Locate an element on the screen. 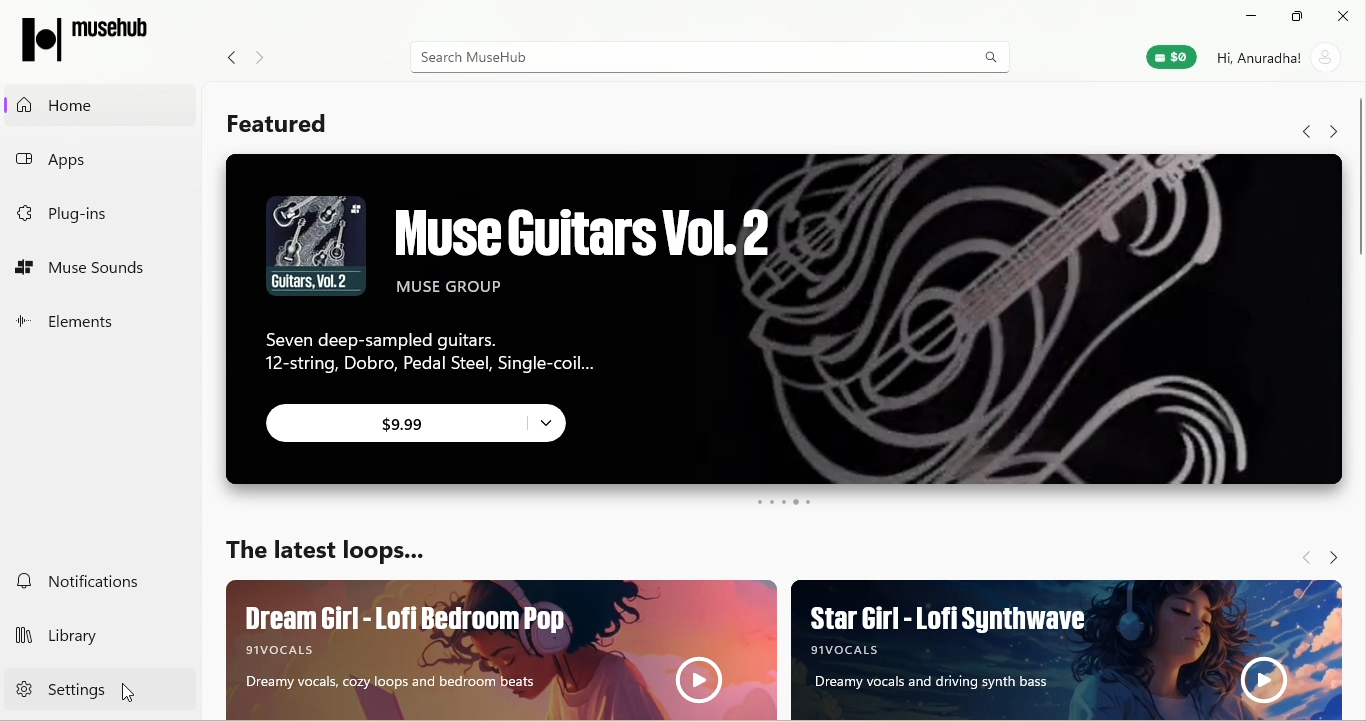 Image resolution: width=1366 pixels, height=722 pixels. muse wallet is located at coordinates (1166, 59).